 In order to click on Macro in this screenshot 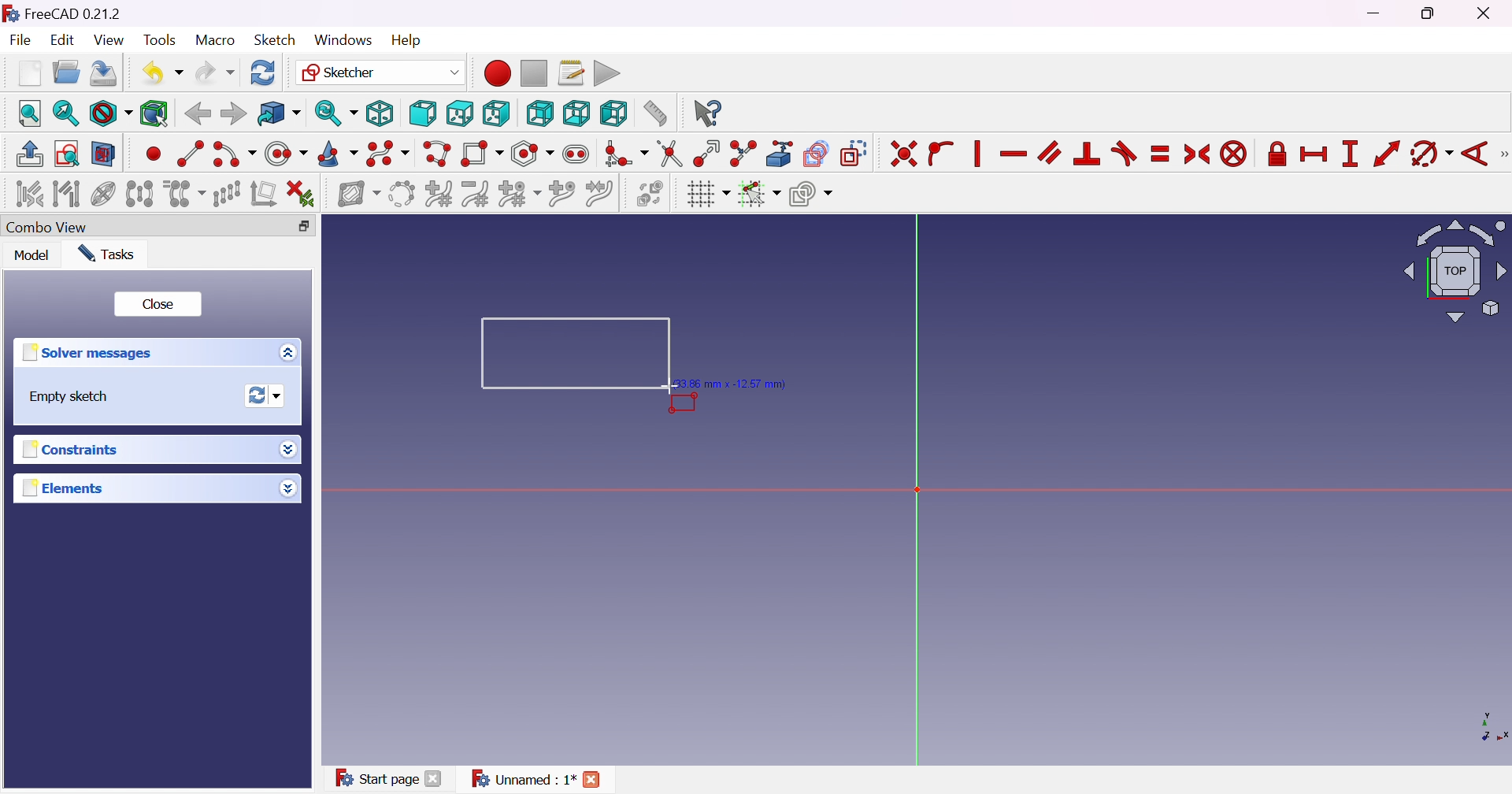, I will do `click(213, 40)`.